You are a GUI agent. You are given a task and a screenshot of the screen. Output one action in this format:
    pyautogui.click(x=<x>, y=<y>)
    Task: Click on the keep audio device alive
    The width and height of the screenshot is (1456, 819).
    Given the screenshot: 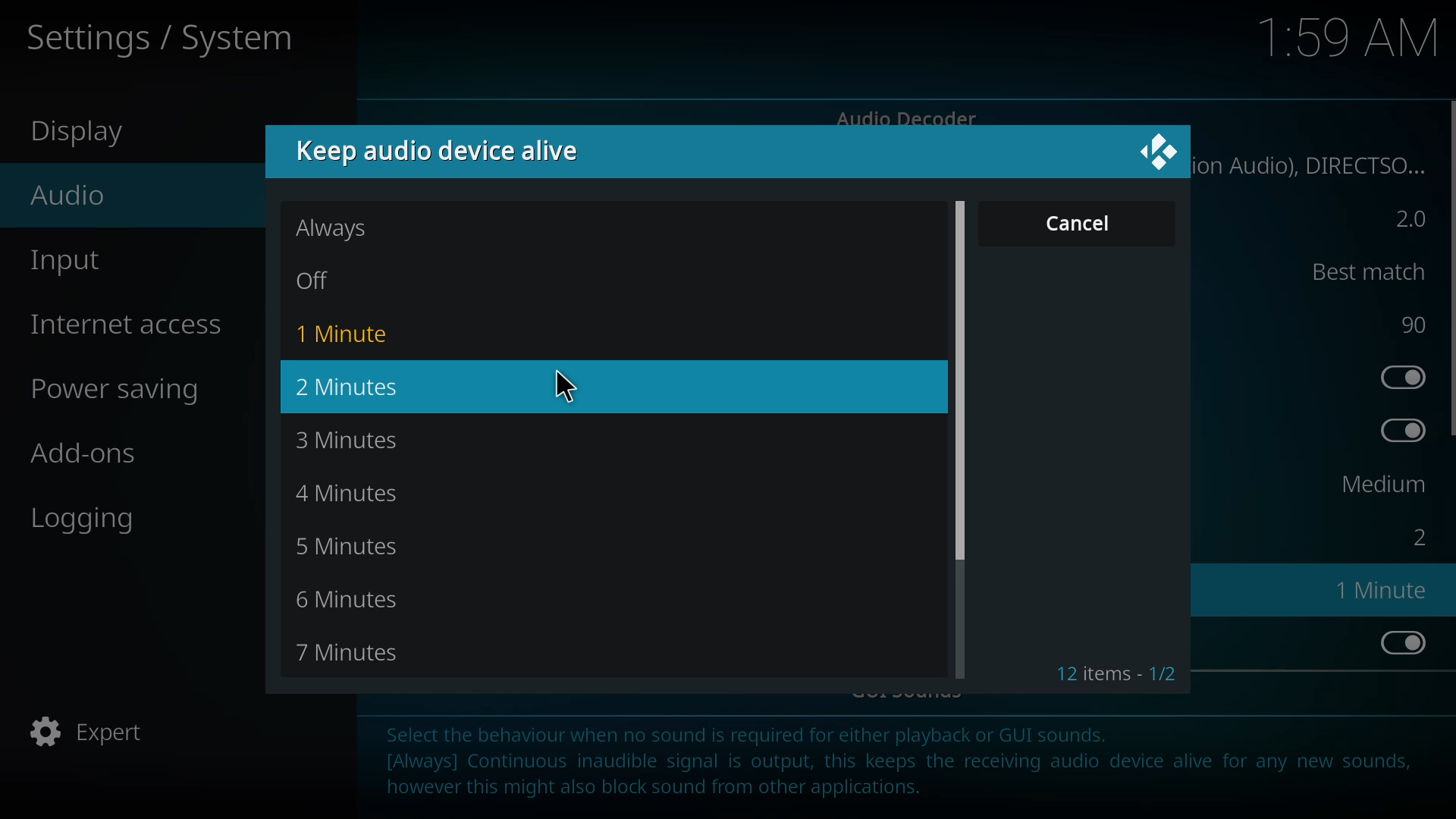 What is the action you would take?
    pyautogui.click(x=443, y=149)
    